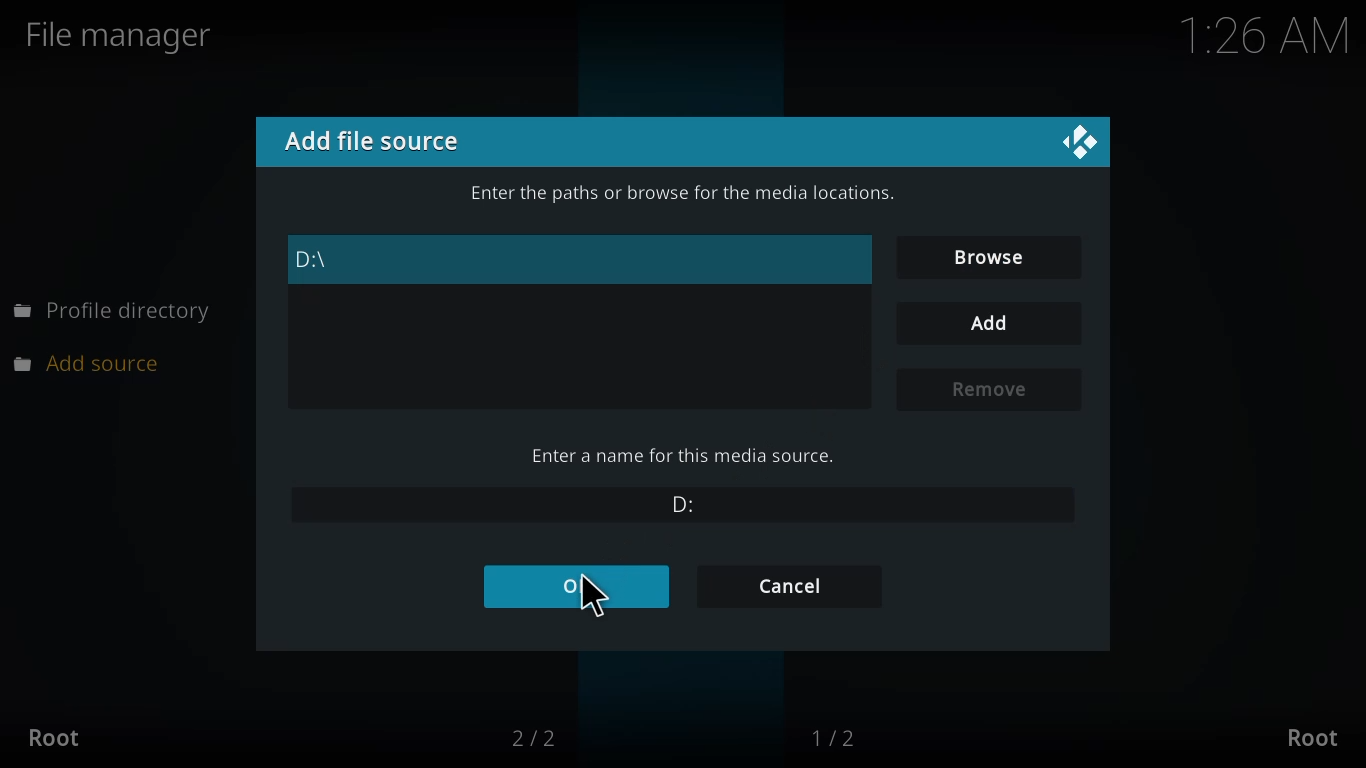  Describe the element at coordinates (984, 323) in the screenshot. I see `Add` at that location.